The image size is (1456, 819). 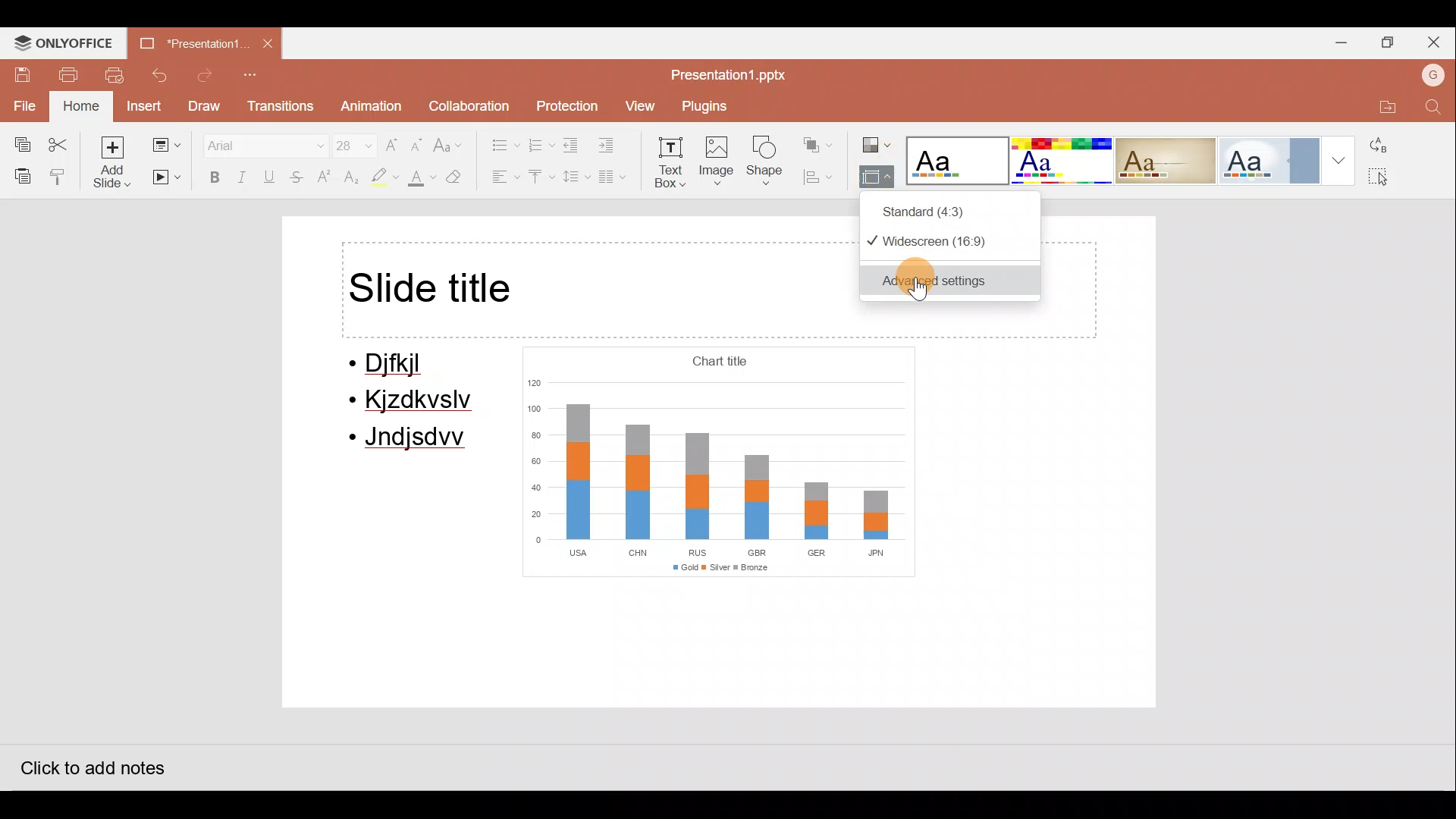 What do you see at coordinates (65, 42) in the screenshot?
I see `ONLYOFFICE` at bounding box center [65, 42].